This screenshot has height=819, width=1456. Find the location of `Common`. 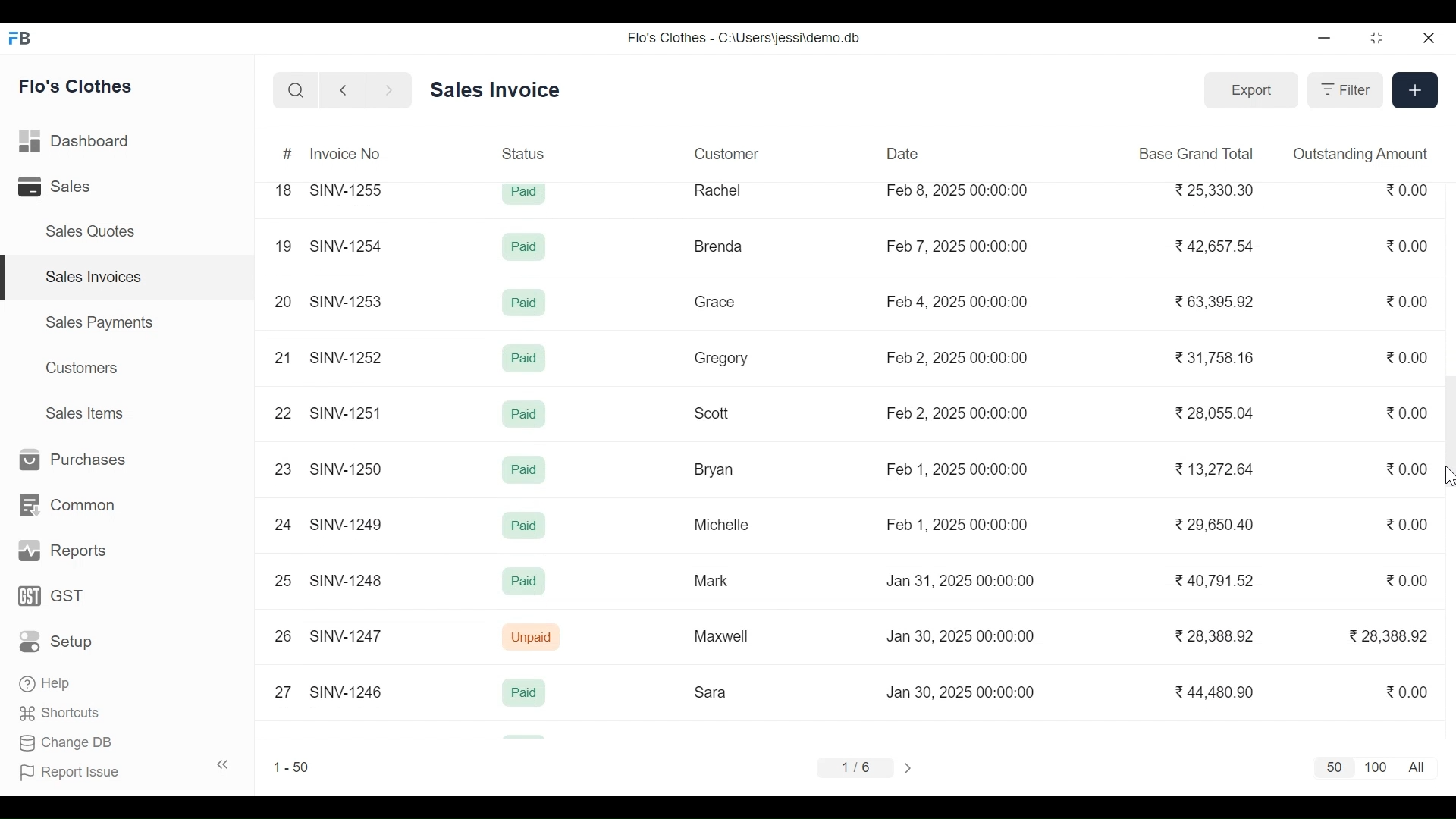

Common is located at coordinates (64, 506).